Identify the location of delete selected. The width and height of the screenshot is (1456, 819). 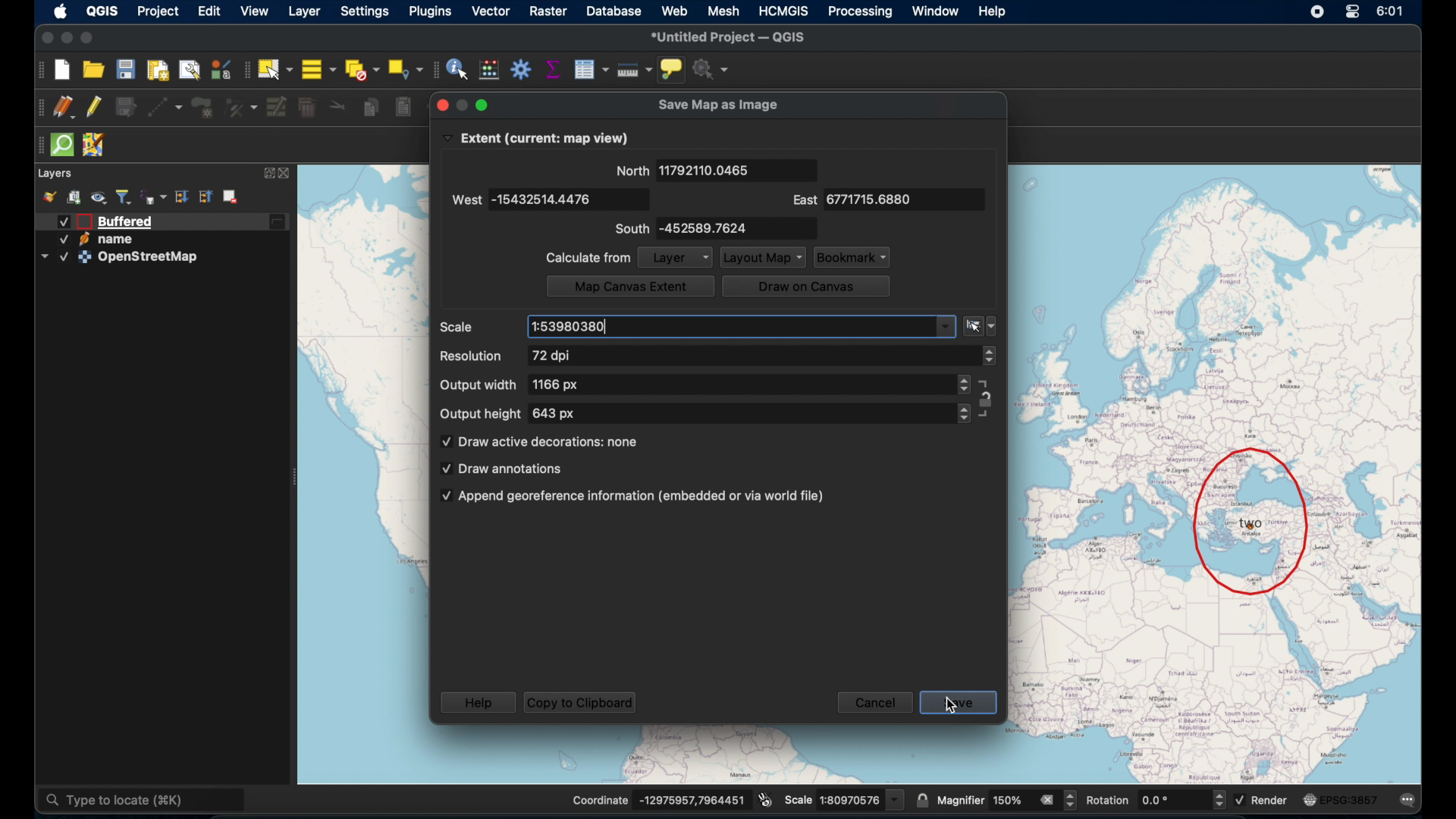
(309, 106).